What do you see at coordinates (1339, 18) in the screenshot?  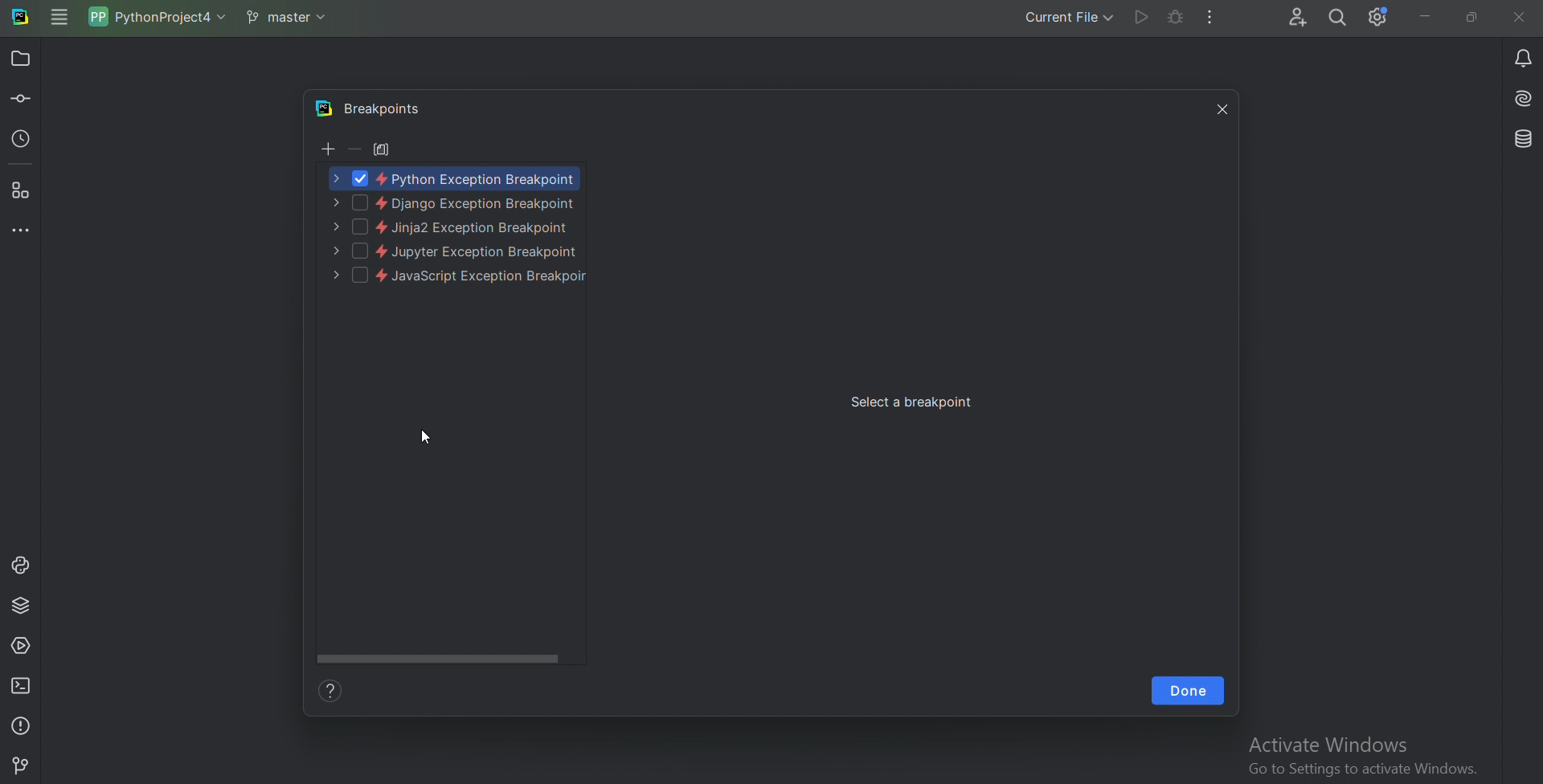 I see `Search everywhere` at bounding box center [1339, 18].